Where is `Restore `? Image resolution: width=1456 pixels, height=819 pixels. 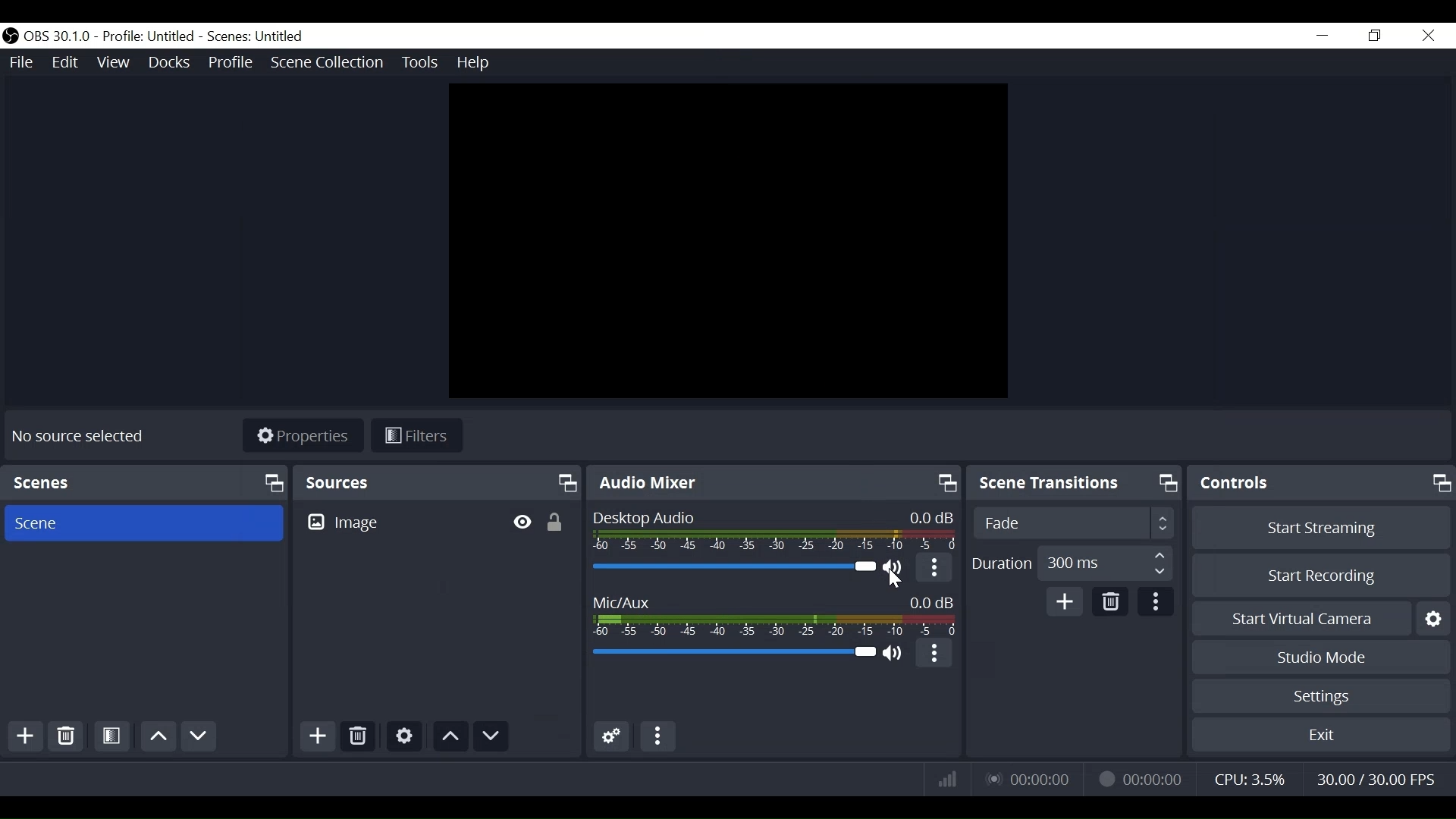 Restore  is located at coordinates (1372, 35).